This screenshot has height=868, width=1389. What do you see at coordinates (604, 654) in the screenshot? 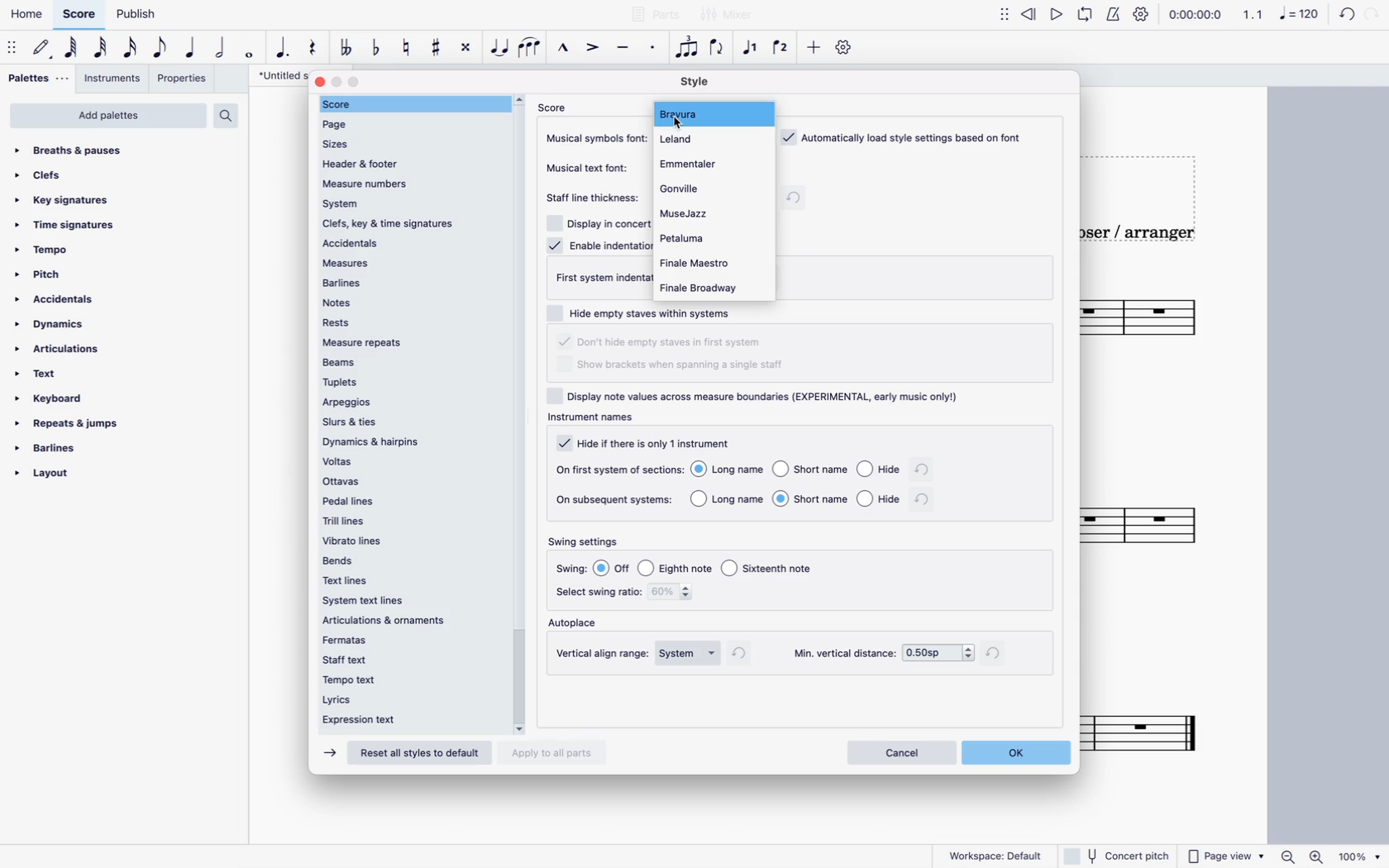
I see `vertical align range` at bounding box center [604, 654].